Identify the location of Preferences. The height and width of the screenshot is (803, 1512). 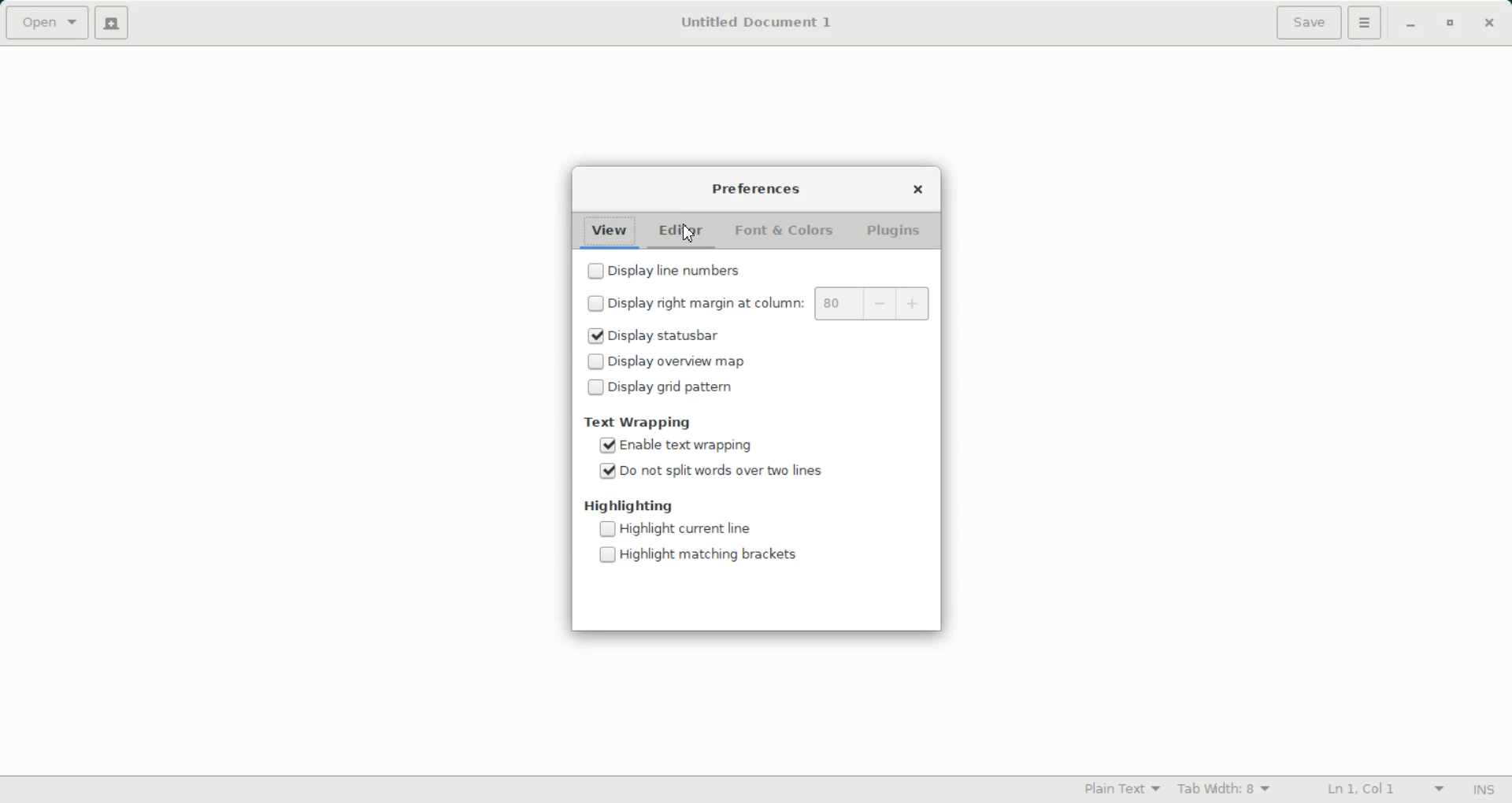
(758, 191).